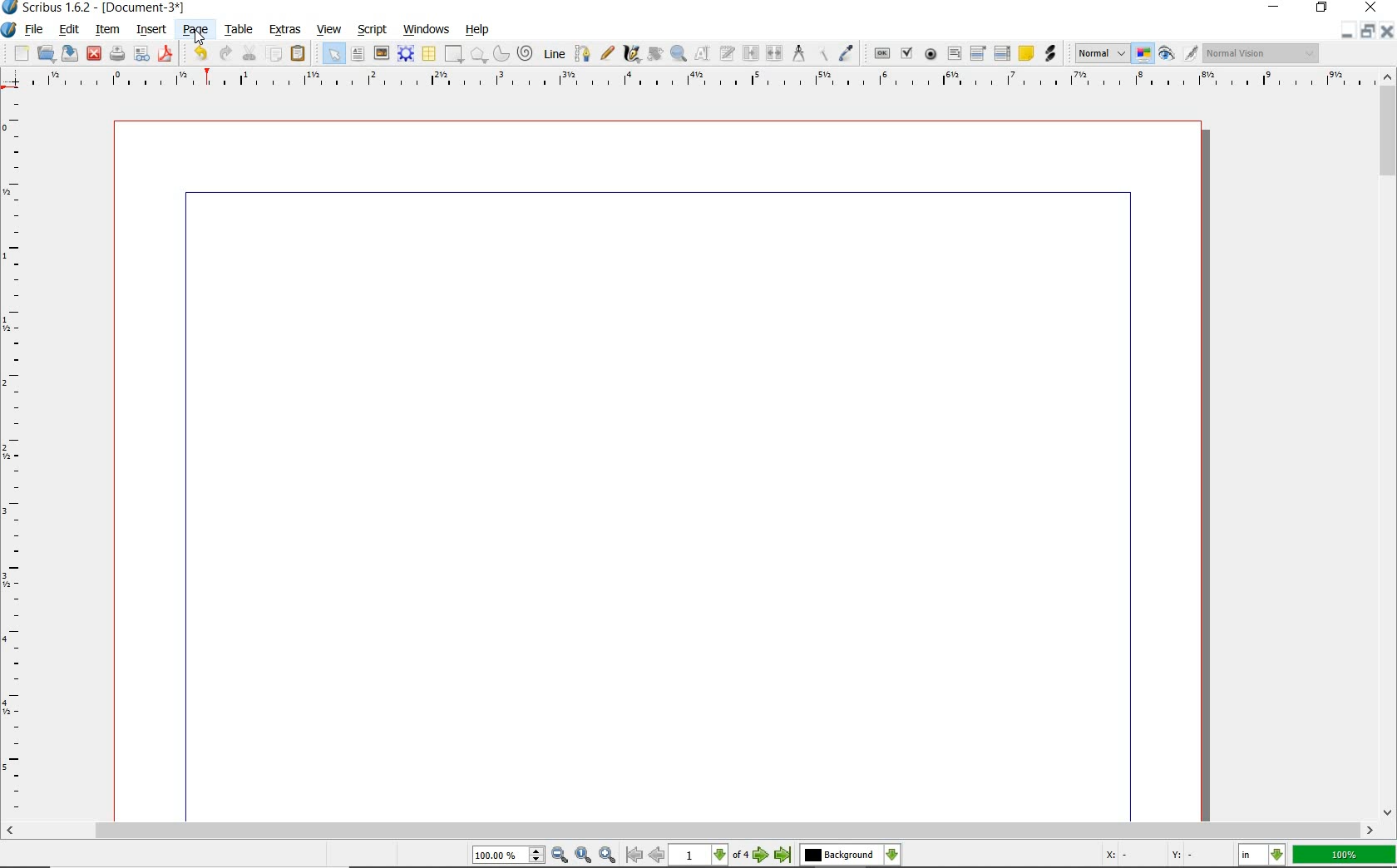 The width and height of the screenshot is (1397, 868). I want to click on preflight verifier, so click(142, 54).